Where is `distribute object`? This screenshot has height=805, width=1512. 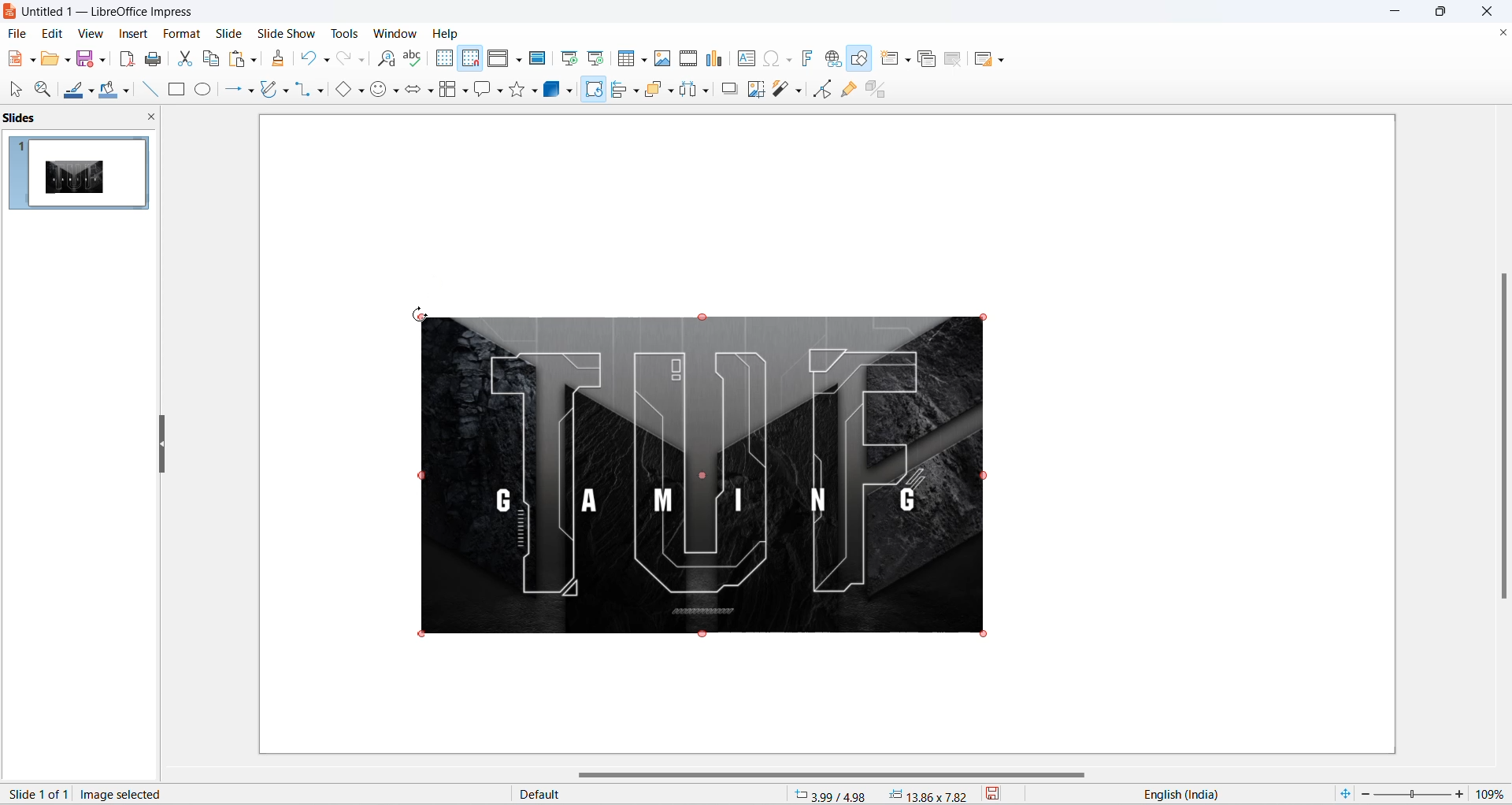
distribute object is located at coordinates (710, 92).